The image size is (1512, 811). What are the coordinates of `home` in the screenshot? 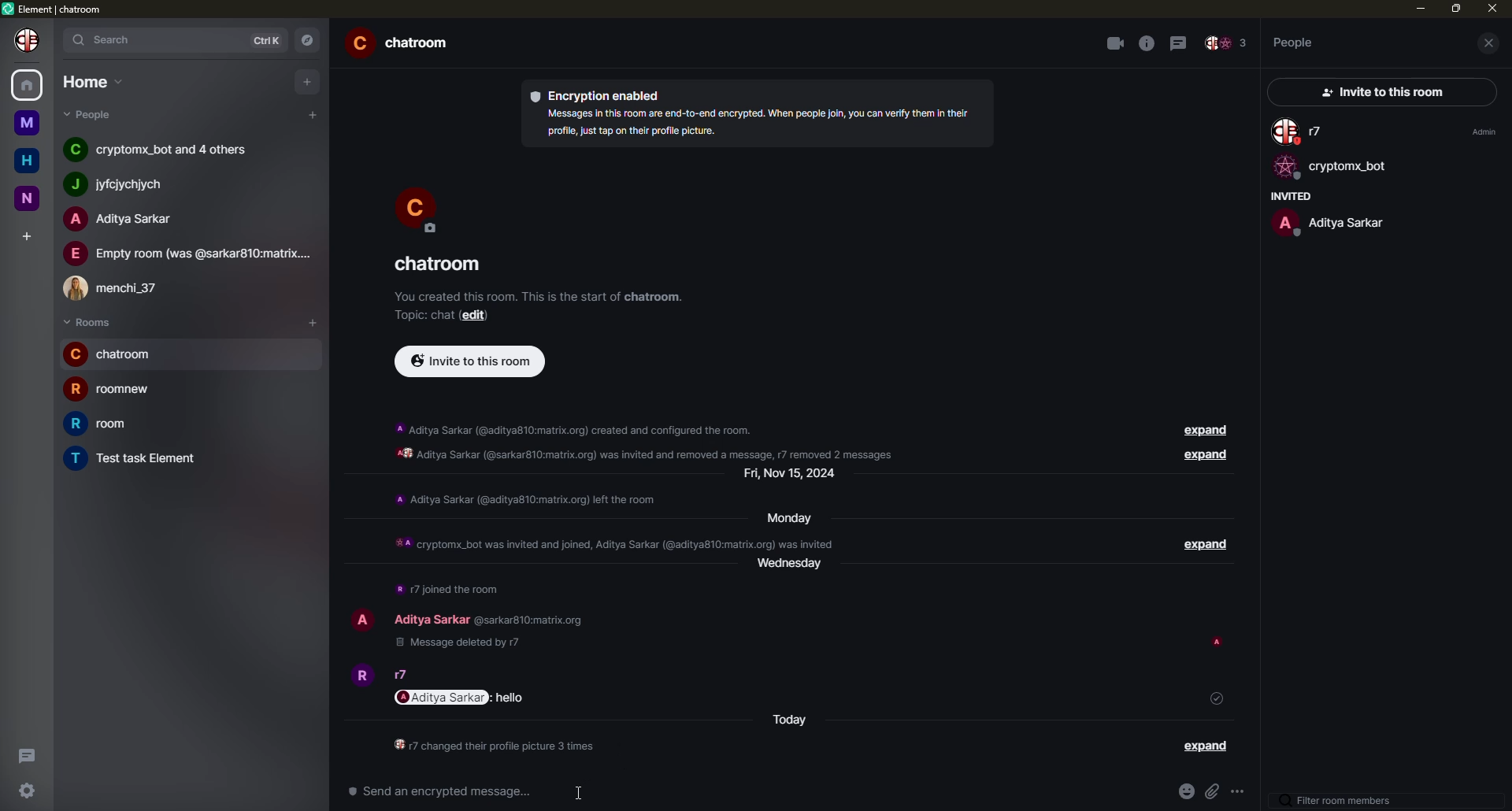 It's located at (28, 83).